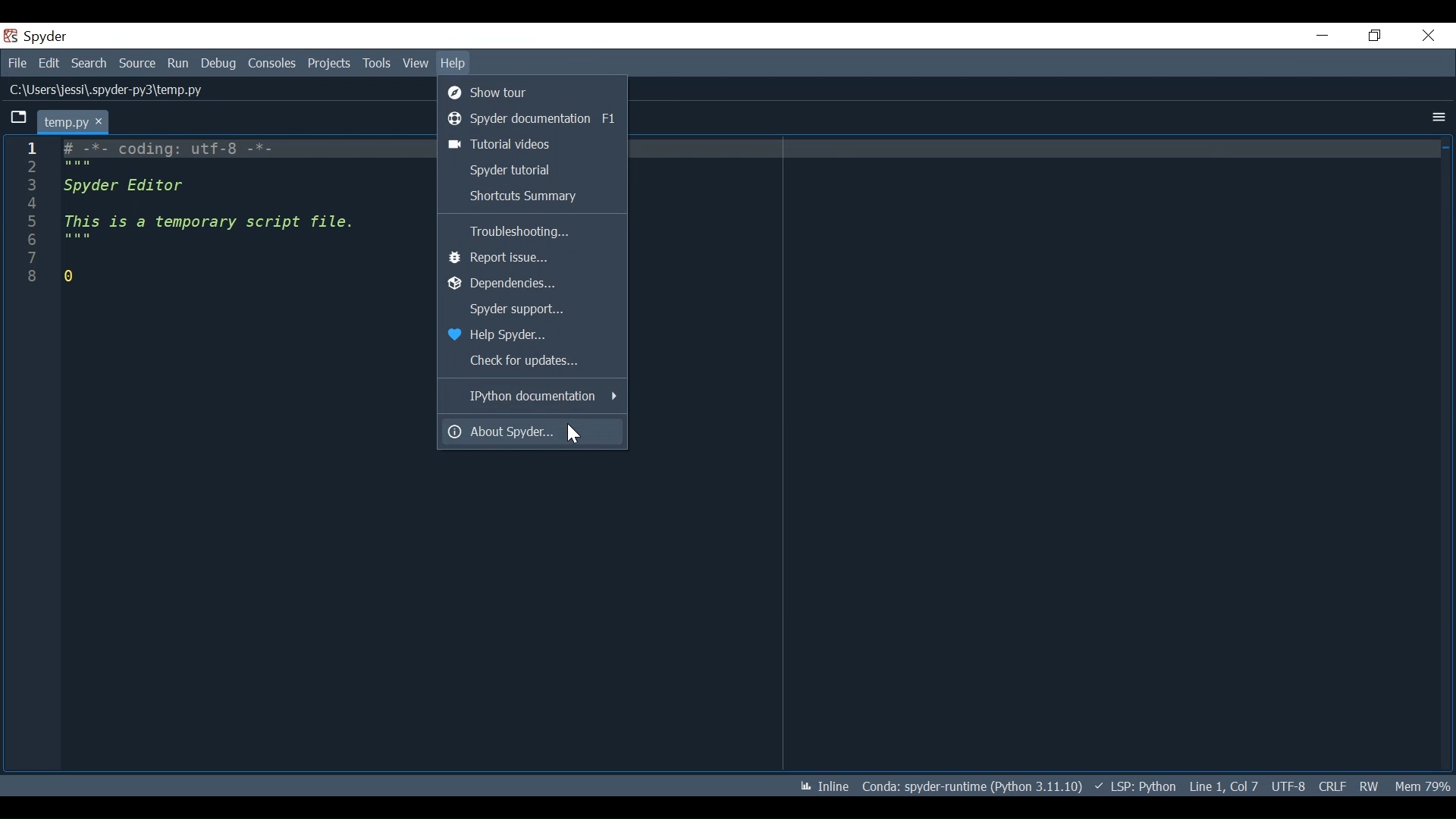  Describe the element at coordinates (179, 64) in the screenshot. I see `Run` at that location.